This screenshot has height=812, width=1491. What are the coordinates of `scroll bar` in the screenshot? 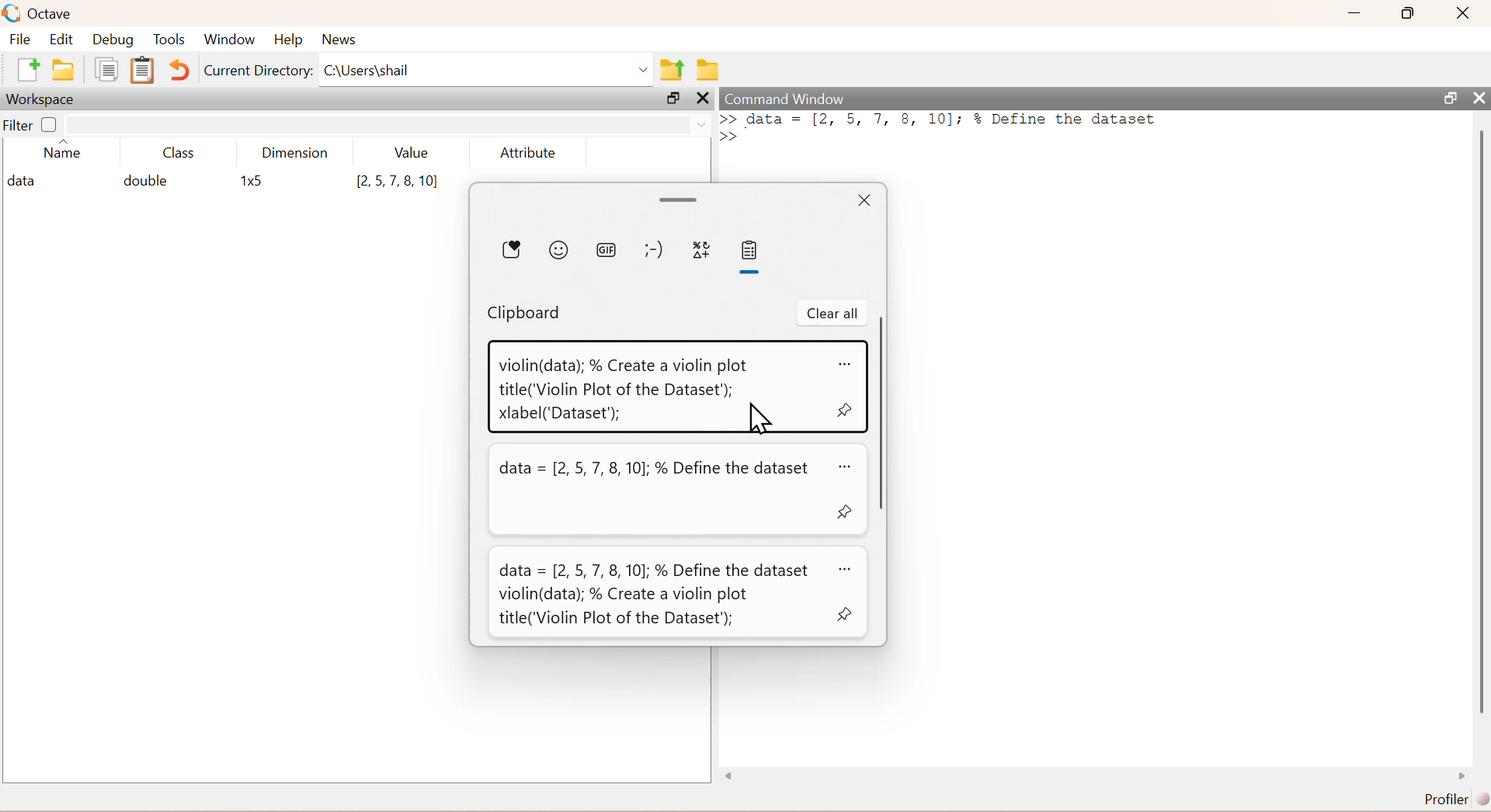 It's located at (1481, 425).